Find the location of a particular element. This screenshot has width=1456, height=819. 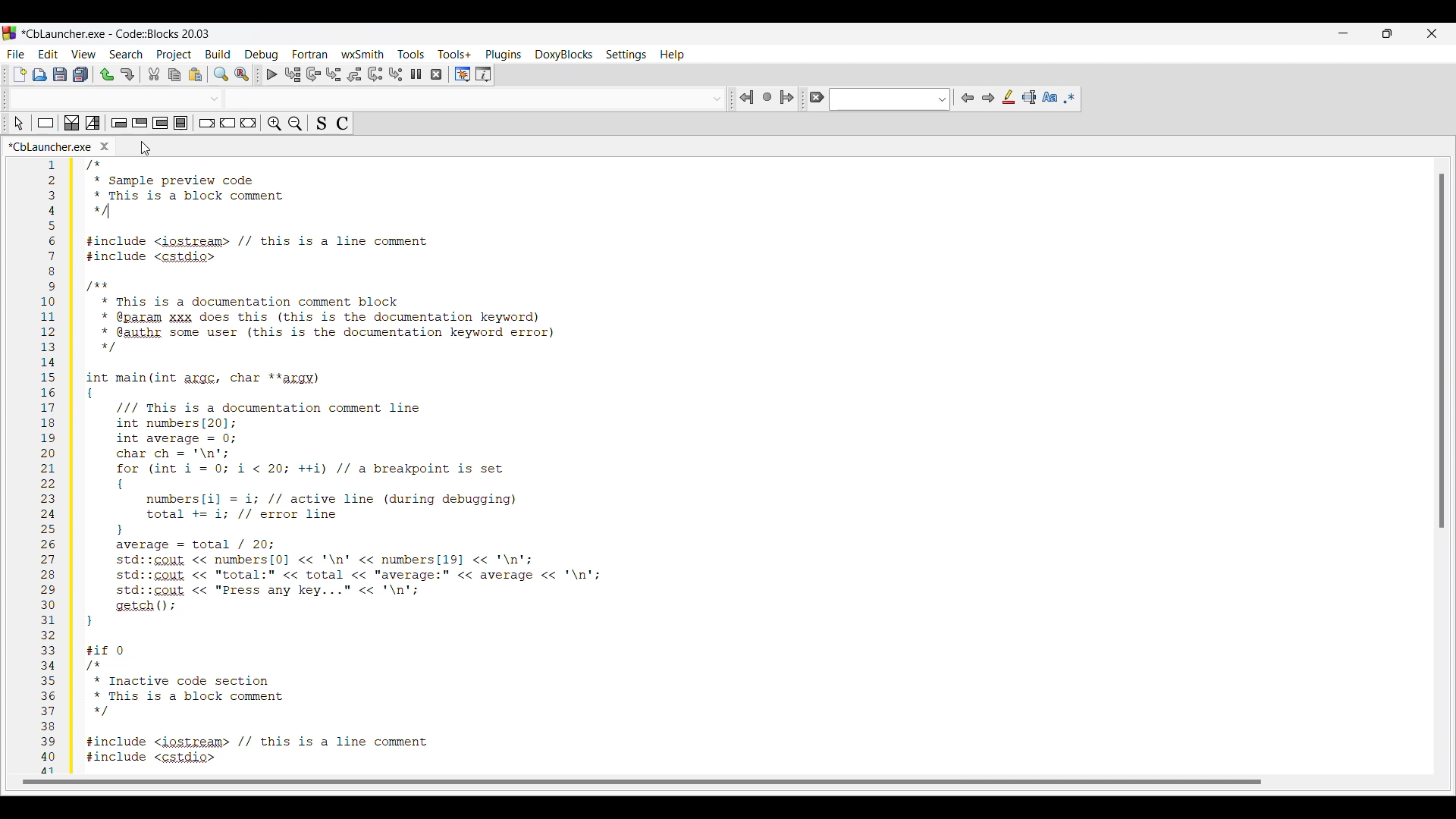

Toggle source is located at coordinates (321, 124).